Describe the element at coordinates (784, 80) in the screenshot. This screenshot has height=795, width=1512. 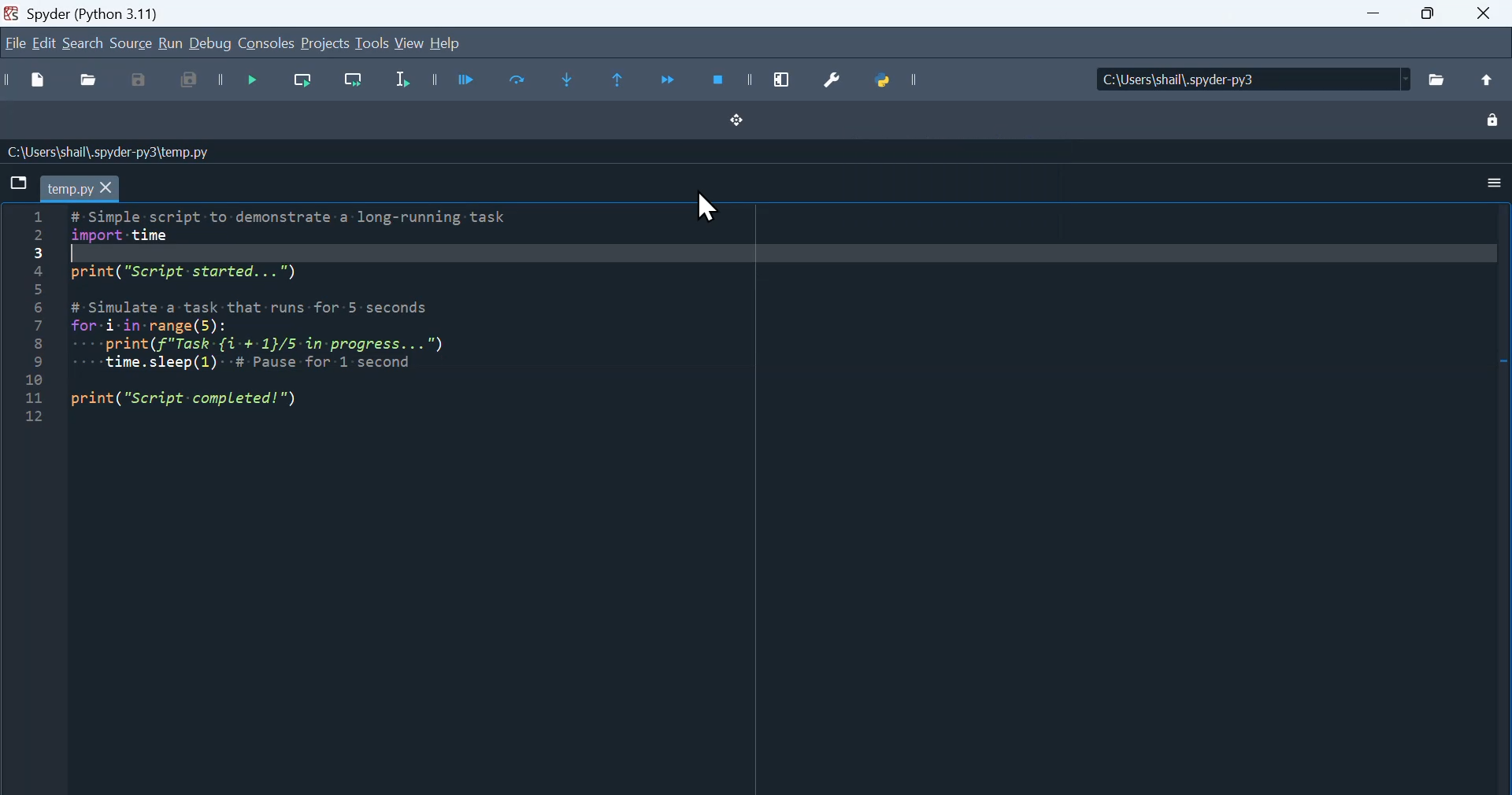
I see `maximise current window` at that location.